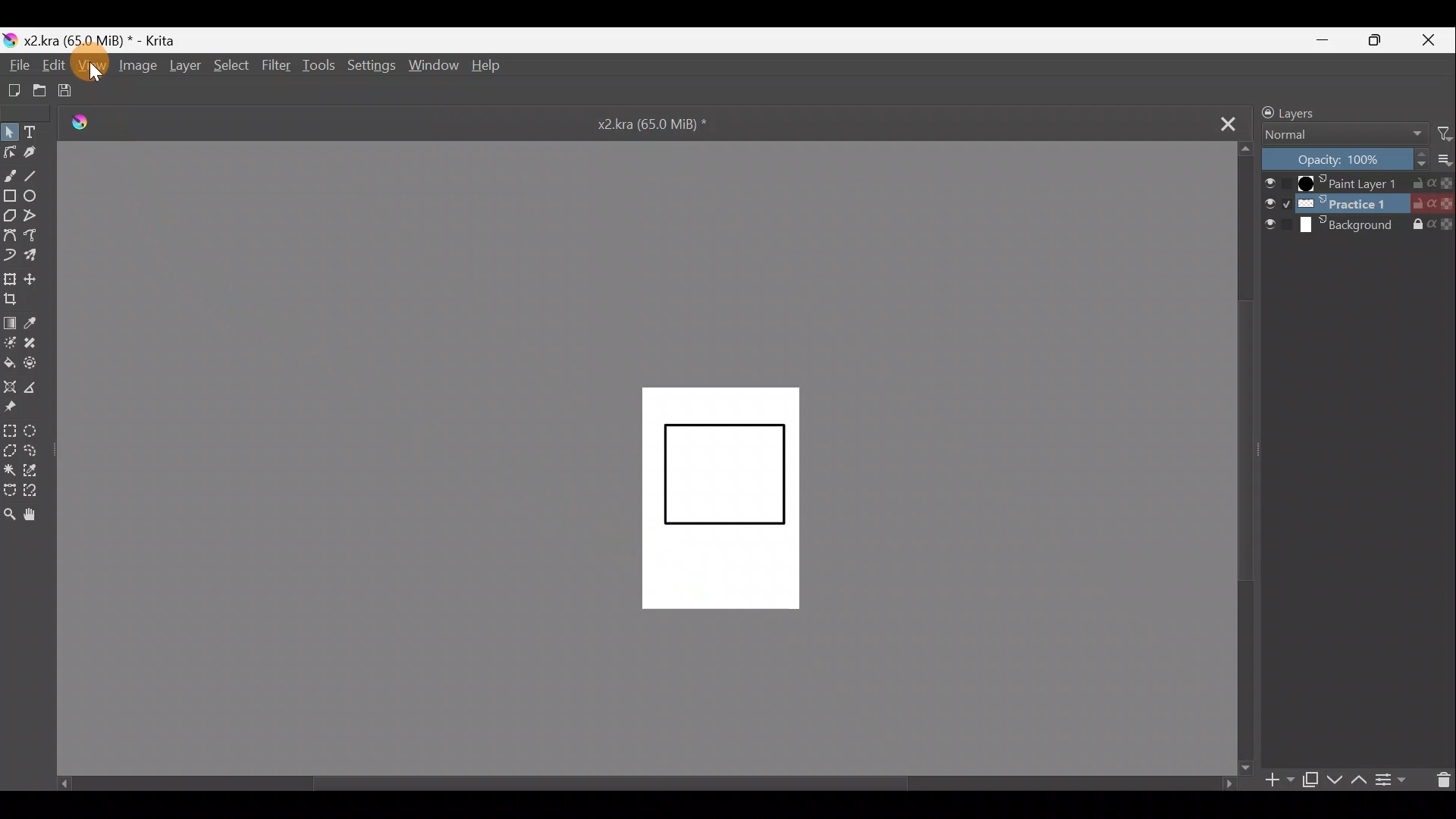 This screenshot has height=819, width=1456. Describe the element at coordinates (1359, 782) in the screenshot. I see `Move layer/mask up` at that location.